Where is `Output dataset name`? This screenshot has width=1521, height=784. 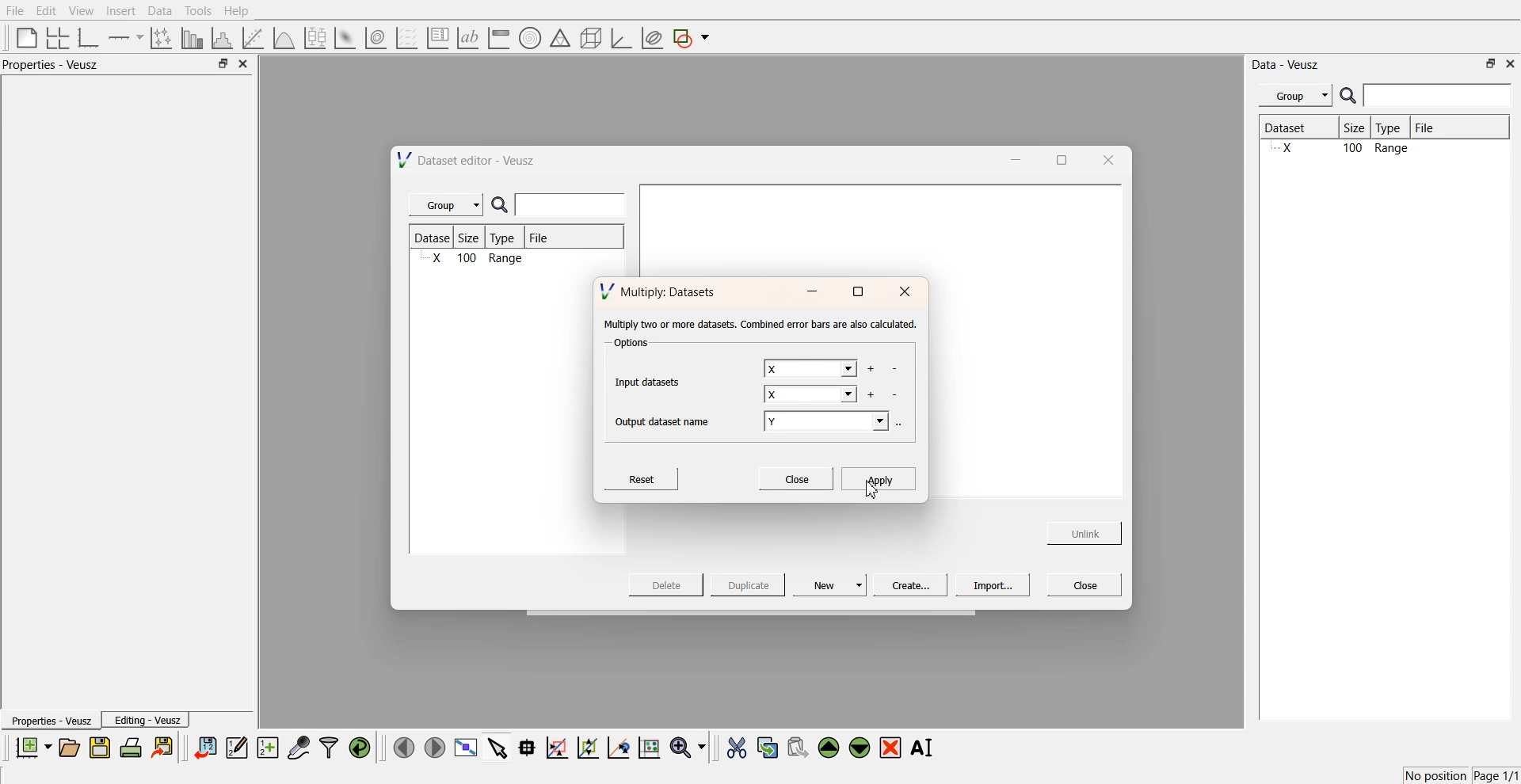 Output dataset name is located at coordinates (668, 420).